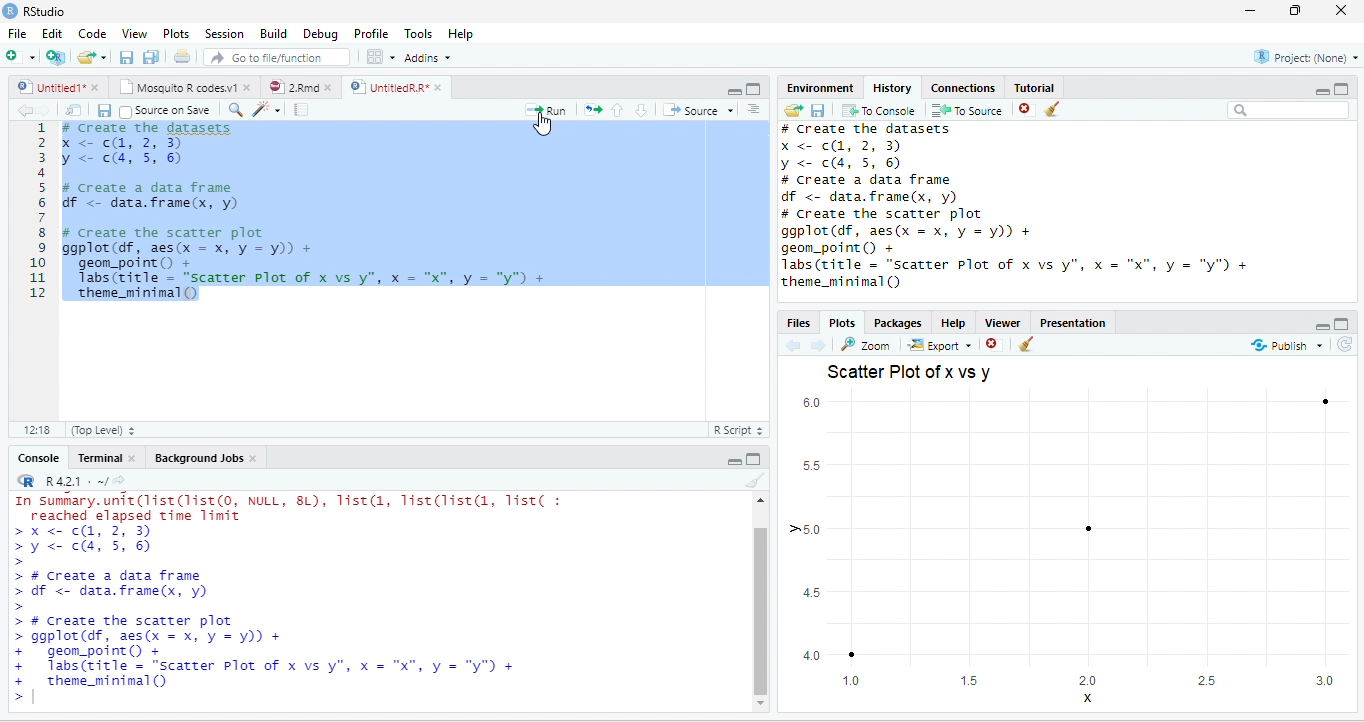 The height and width of the screenshot is (722, 1364). What do you see at coordinates (237, 111) in the screenshot?
I see `Find/Replace` at bounding box center [237, 111].